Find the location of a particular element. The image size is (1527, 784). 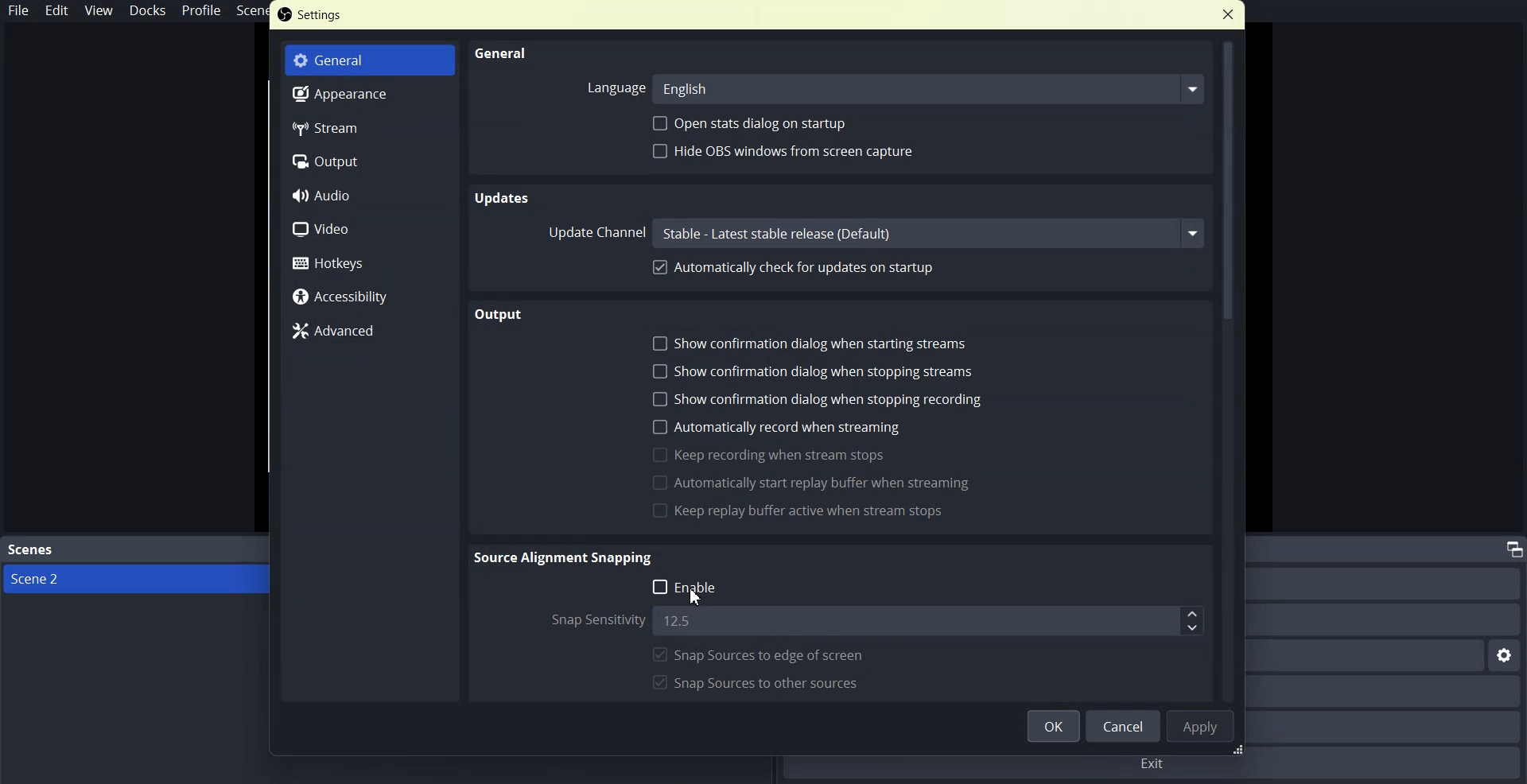

View is located at coordinates (99, 10).